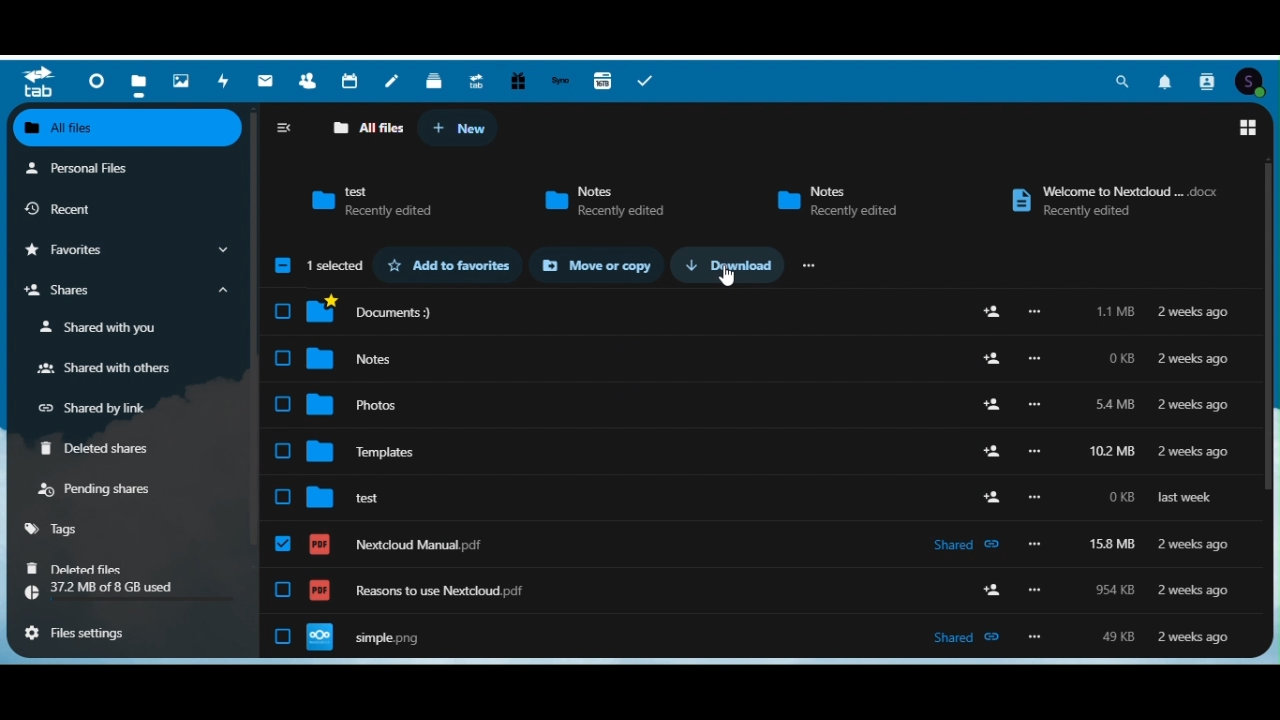 This screenshot has height=720, width=1280. I want to click on Collapse, so click(285, 128).